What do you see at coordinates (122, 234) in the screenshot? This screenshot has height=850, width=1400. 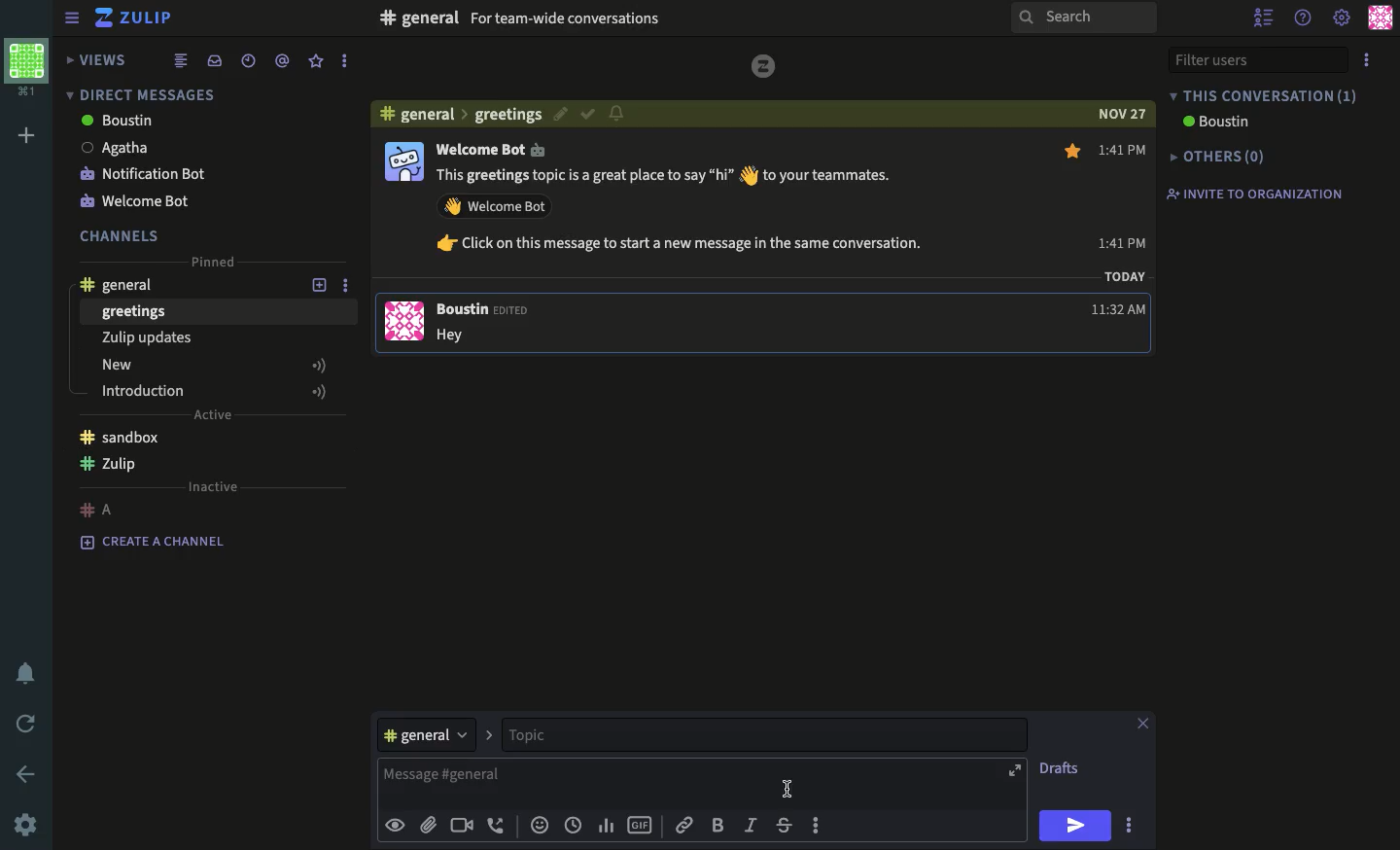 I see `channels` at bounding box center [122, 234].